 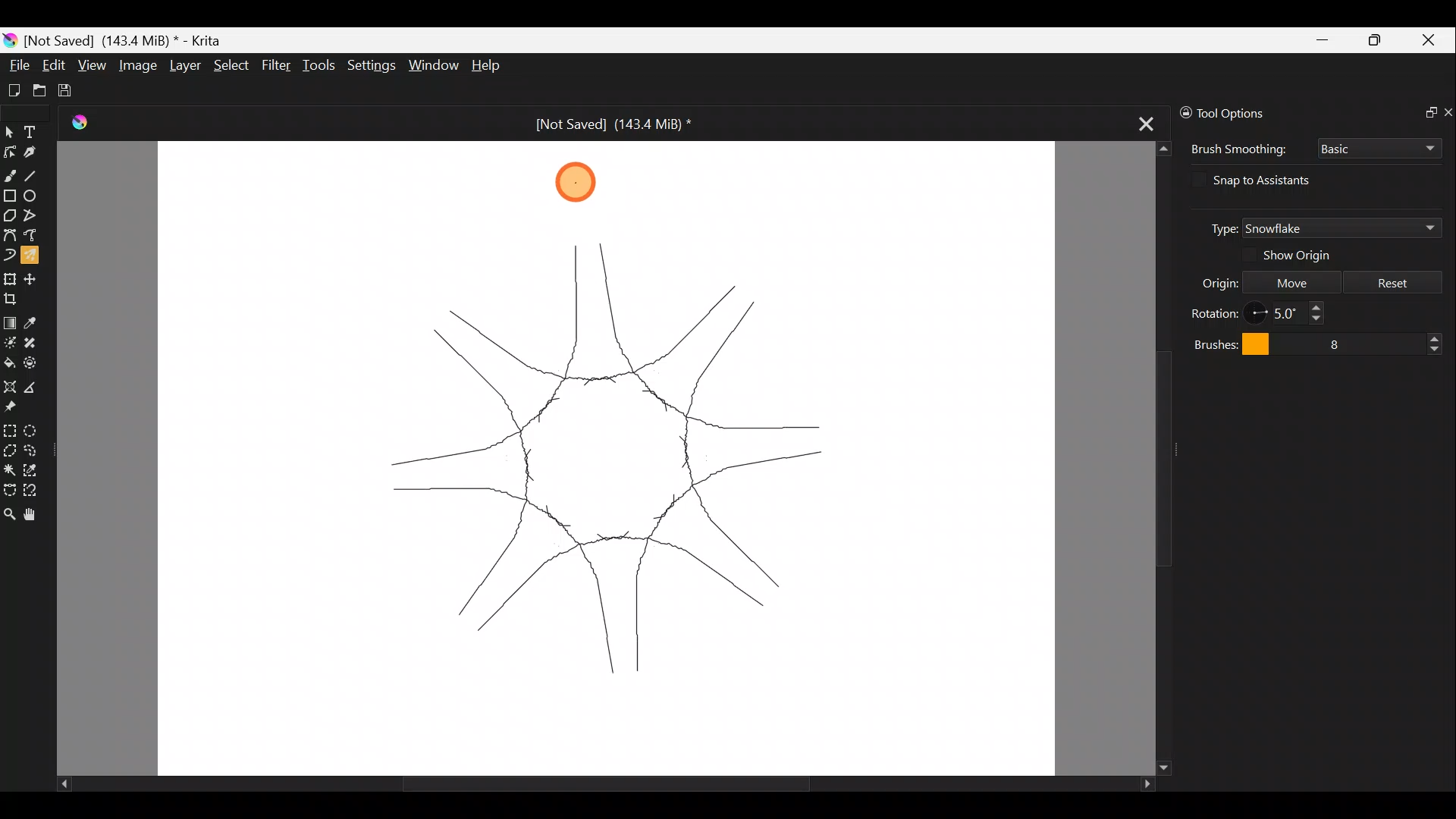 What do you see at coordinates (9, 174) in the screenshot?
I see `Freehand brush tool` at bounding box center [9, 174].